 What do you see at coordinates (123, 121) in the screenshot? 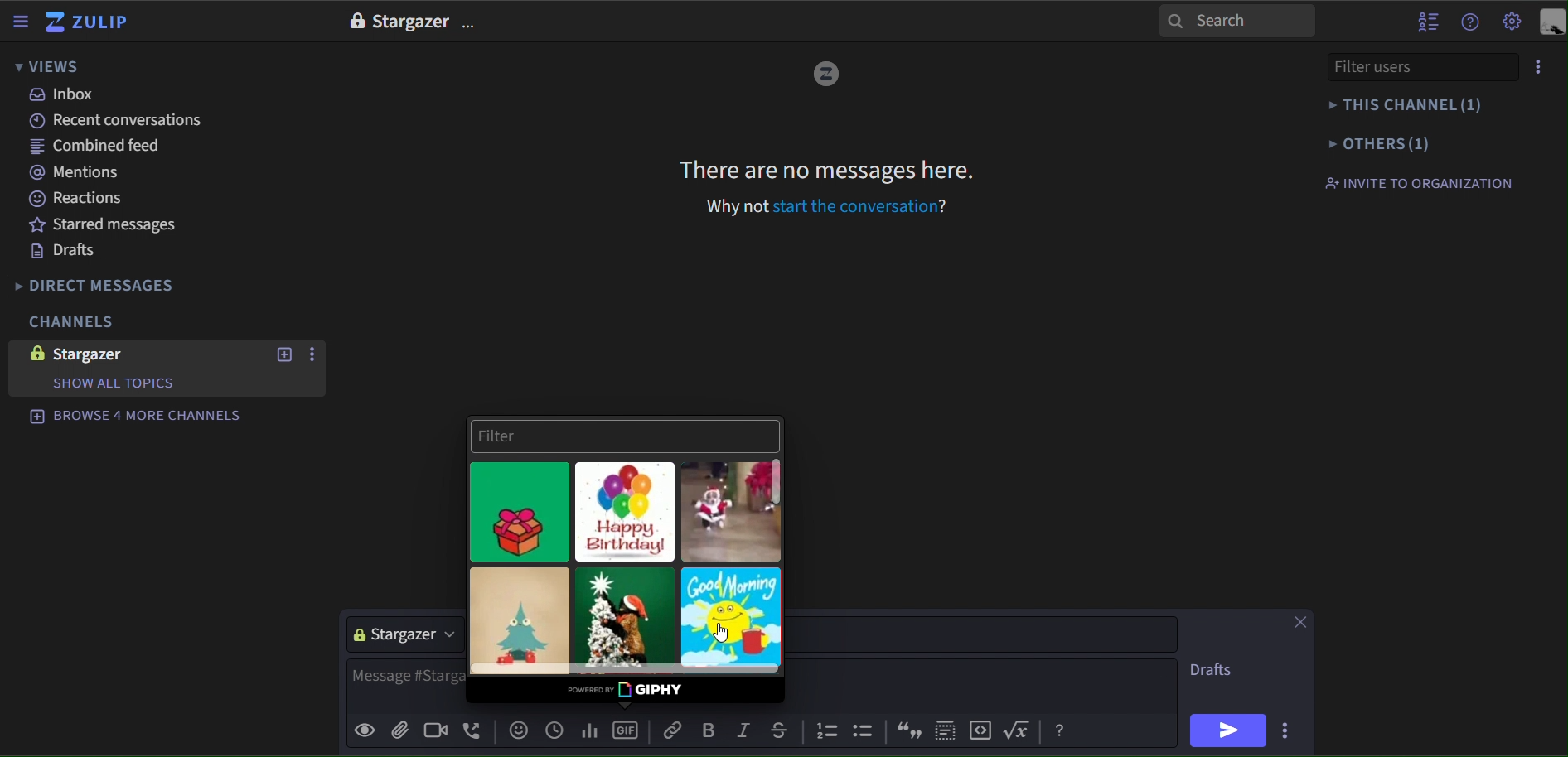
I see `recent conversations` at bounding box center [123, 121].